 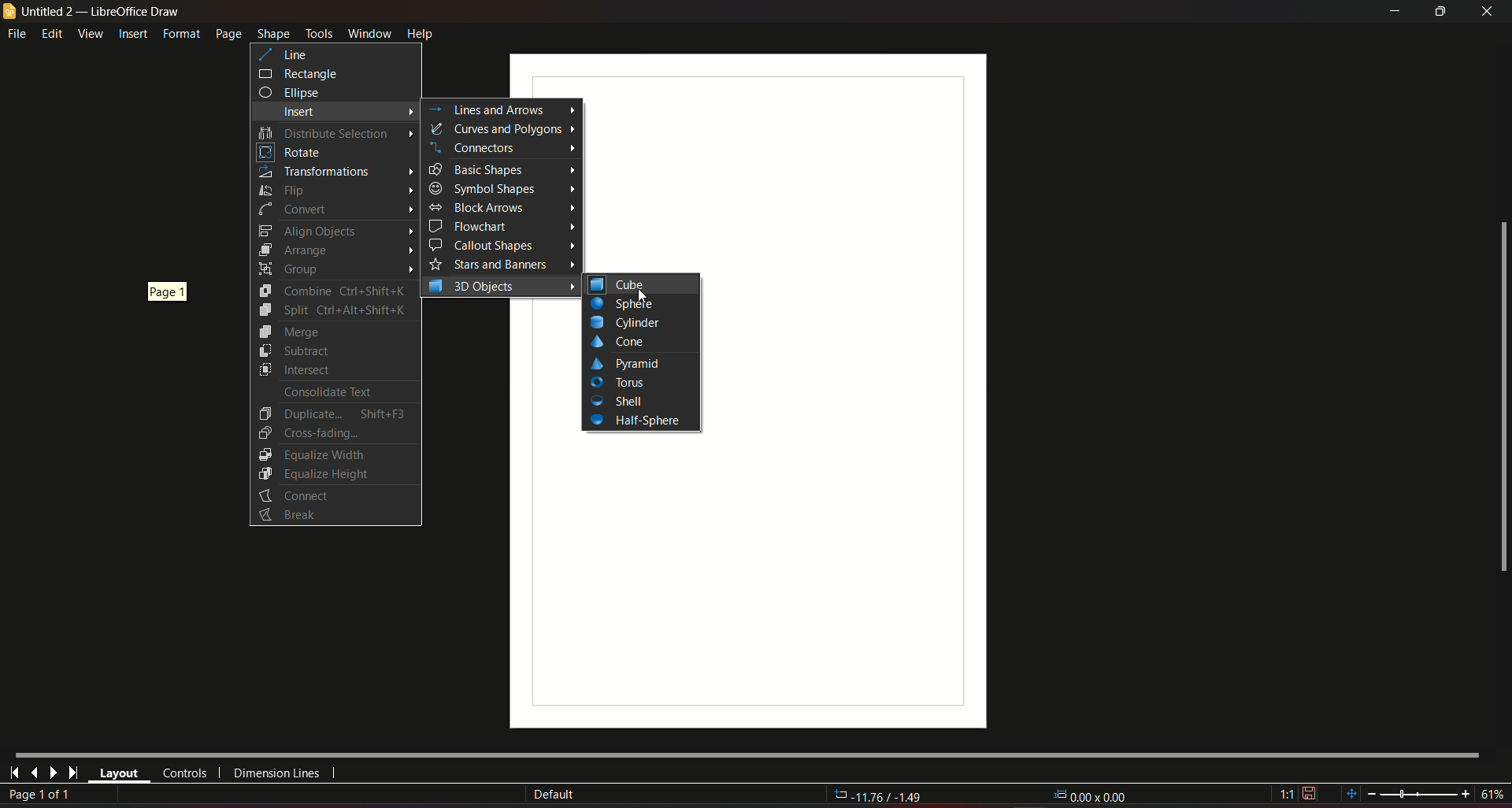 I want to click on Arrow, so click(x=571, y=187).